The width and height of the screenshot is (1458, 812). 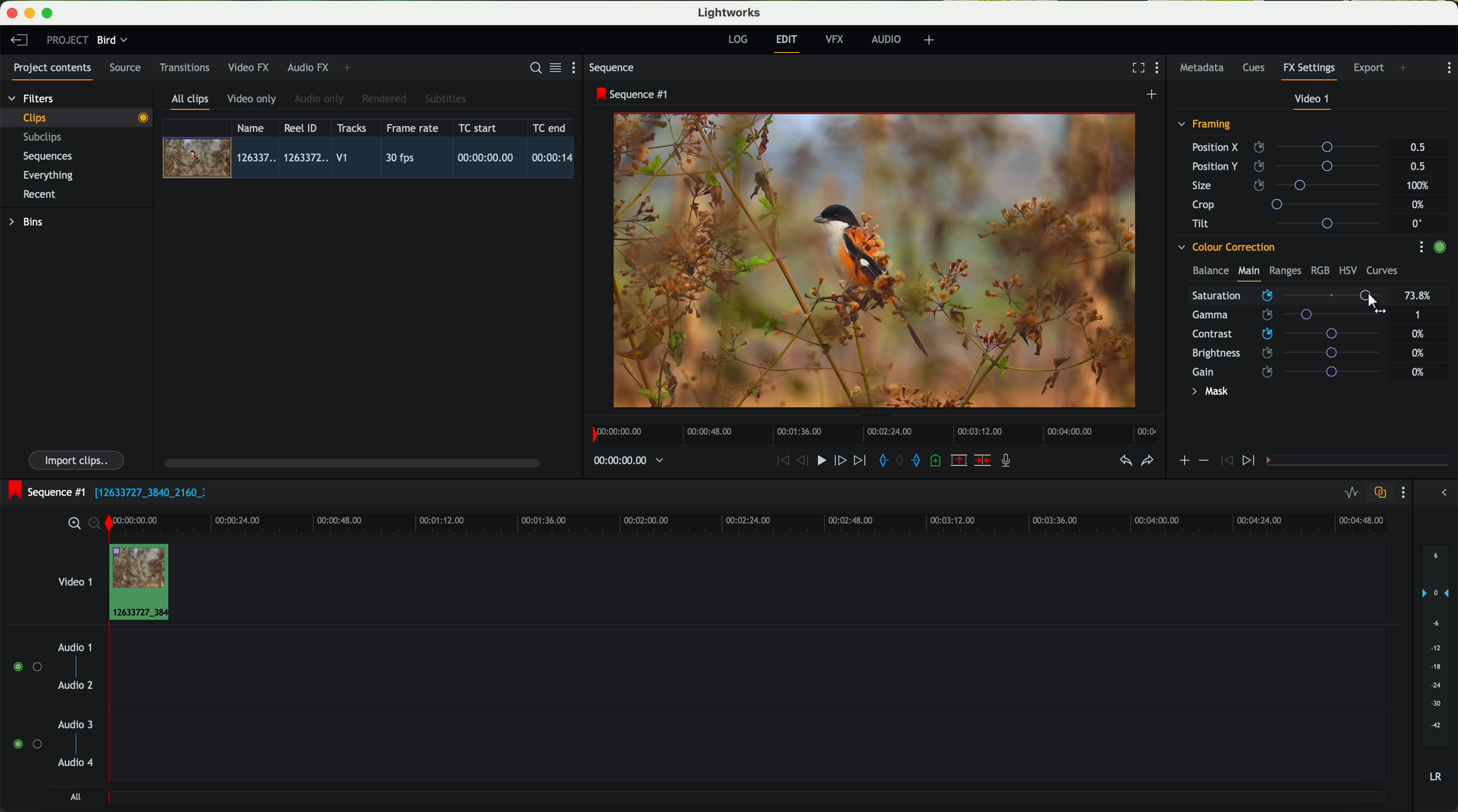 I want to click on add 'out' mark, so click(x=921, y=459).